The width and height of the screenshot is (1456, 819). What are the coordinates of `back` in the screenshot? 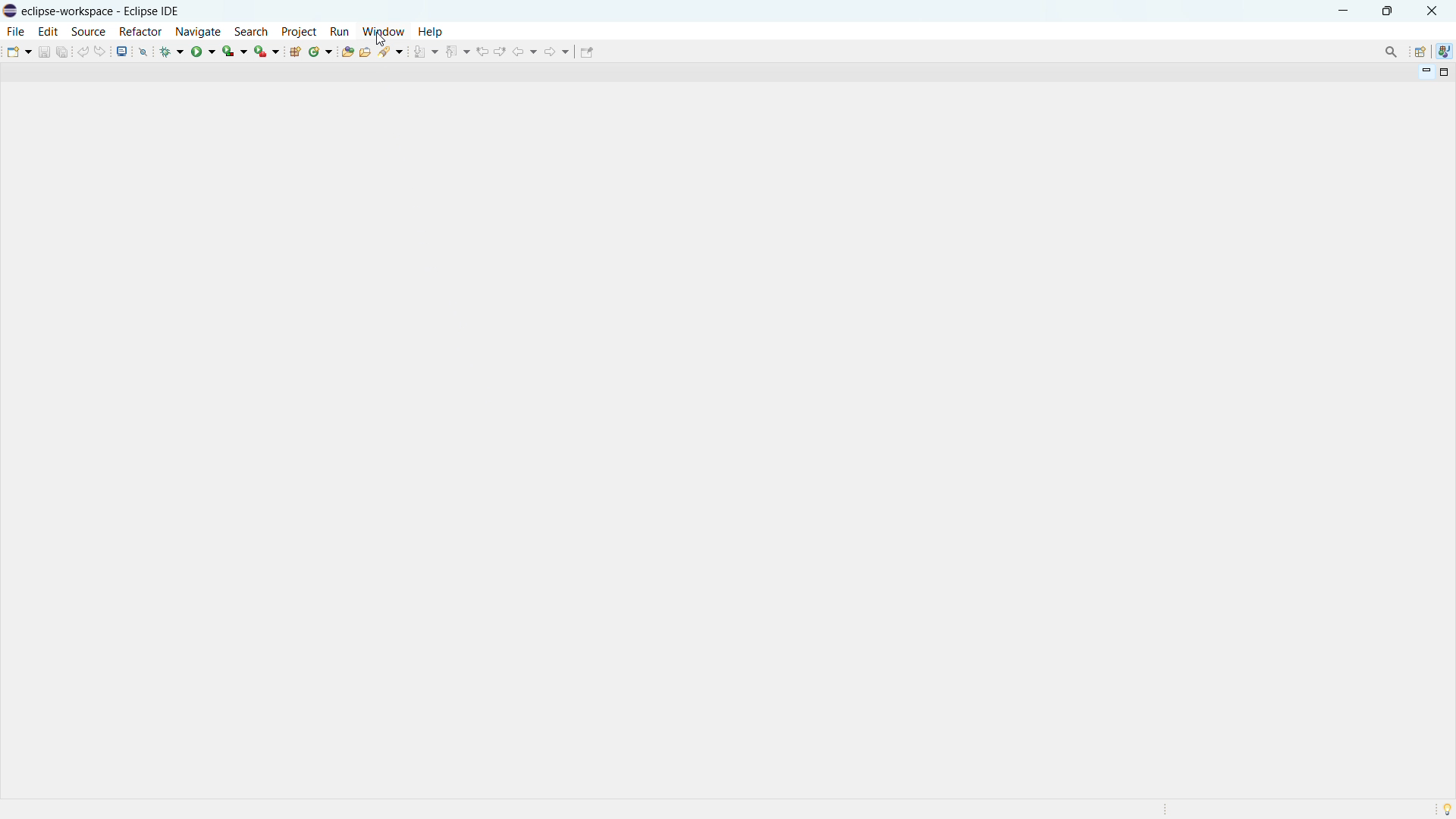 It's located at (526, 52).